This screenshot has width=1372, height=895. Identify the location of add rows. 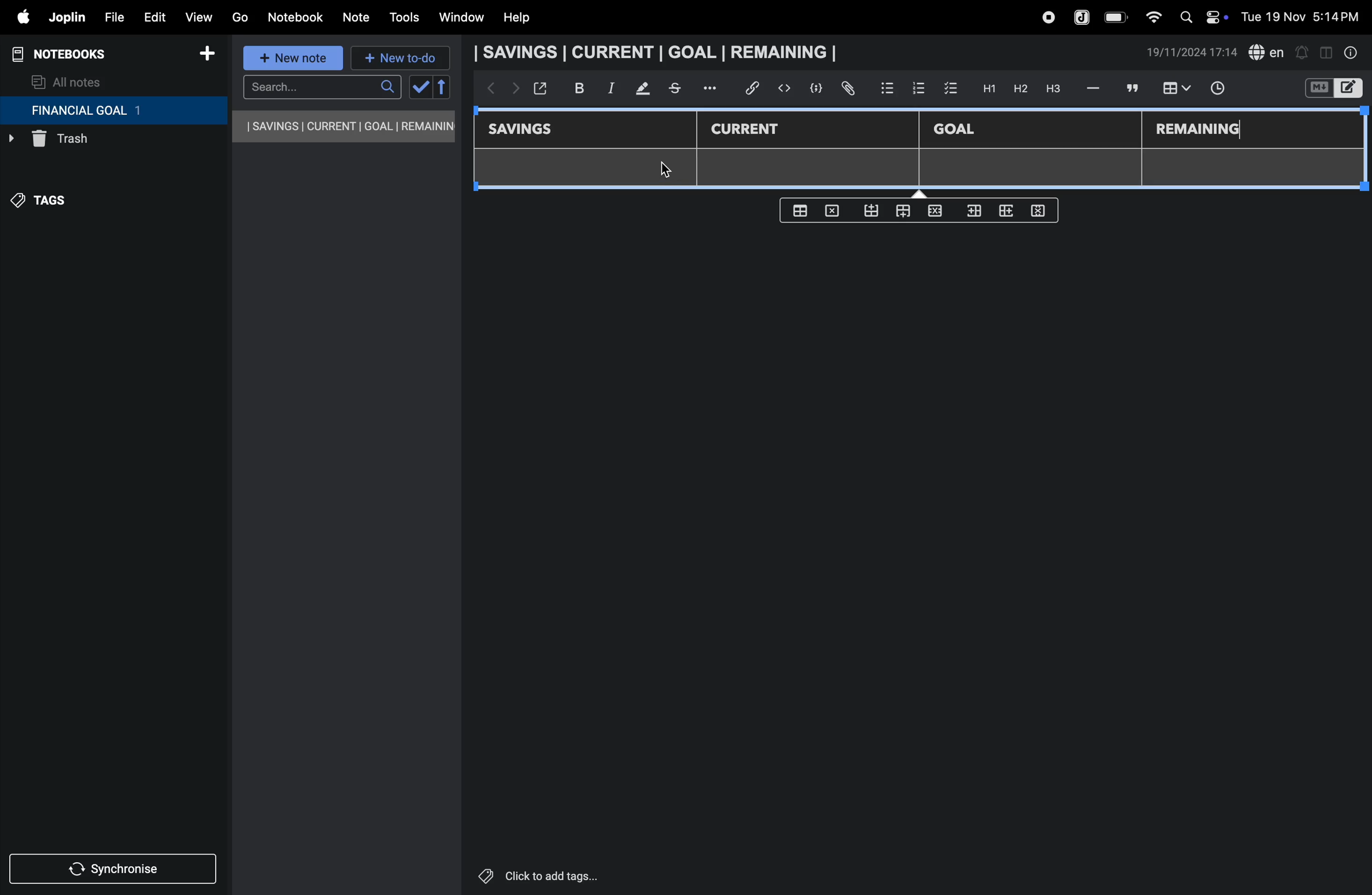
(1004, 214).